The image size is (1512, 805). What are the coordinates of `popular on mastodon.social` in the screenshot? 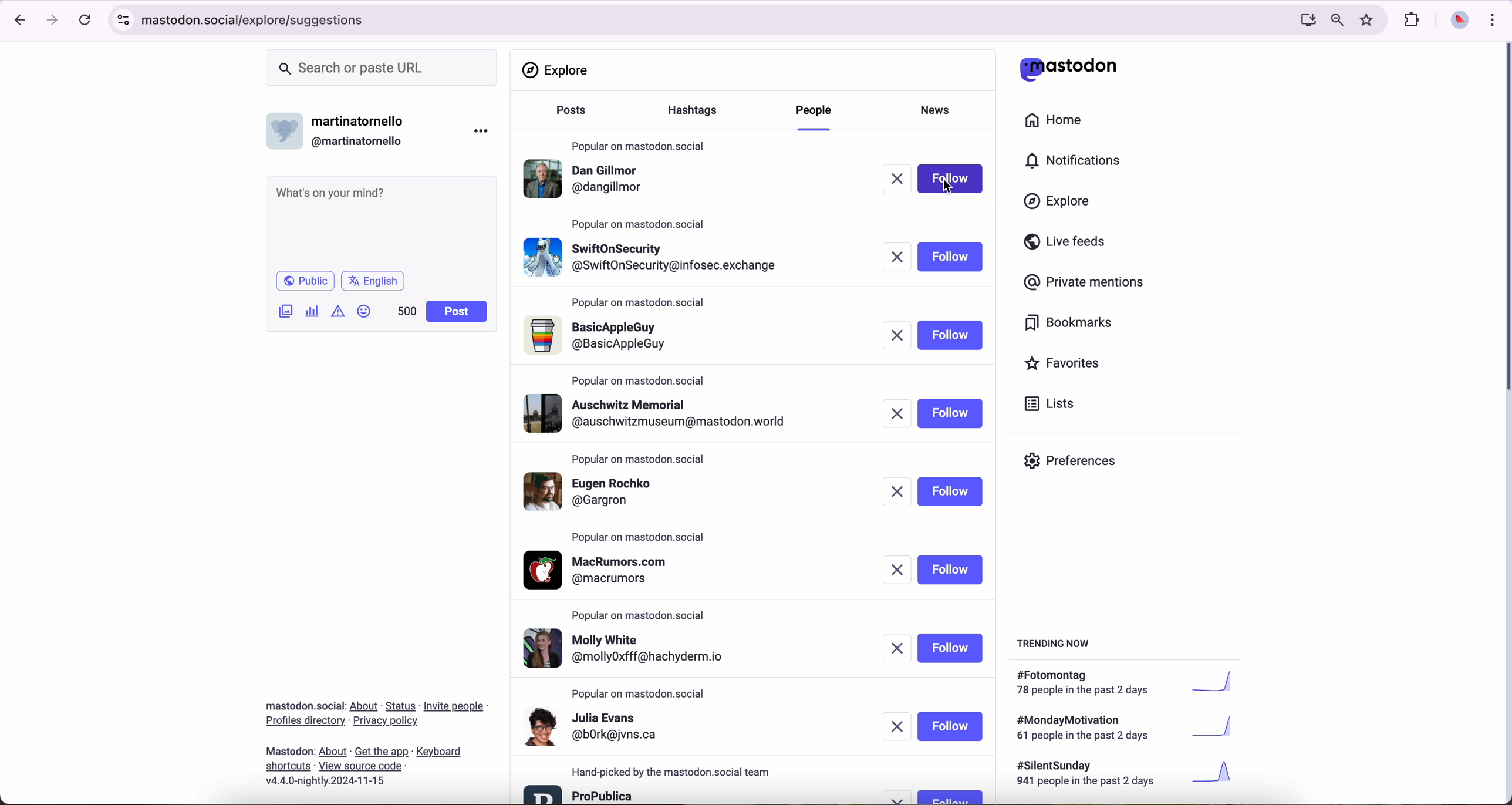 It's located at (642, 223).